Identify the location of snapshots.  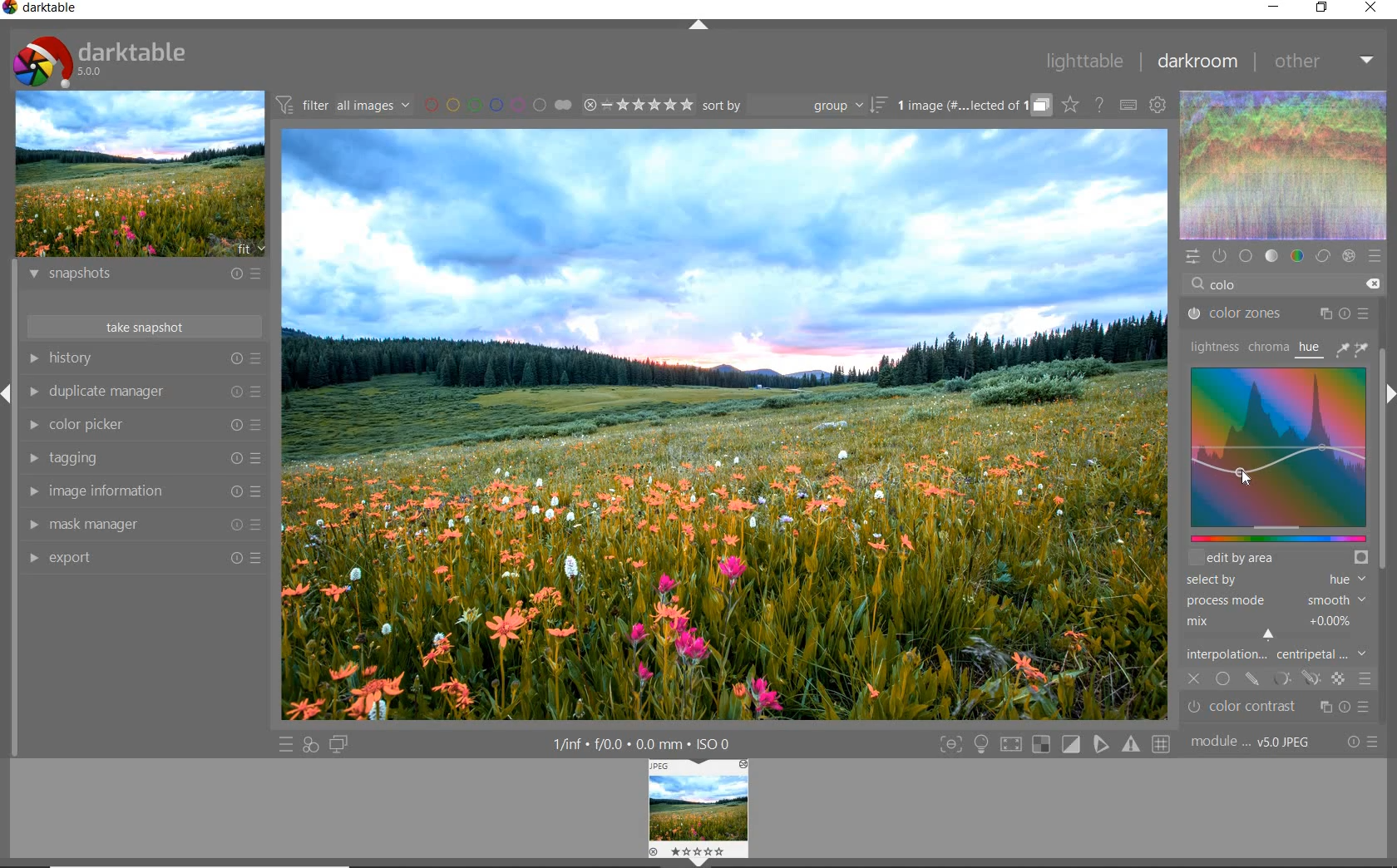
(141, 277).